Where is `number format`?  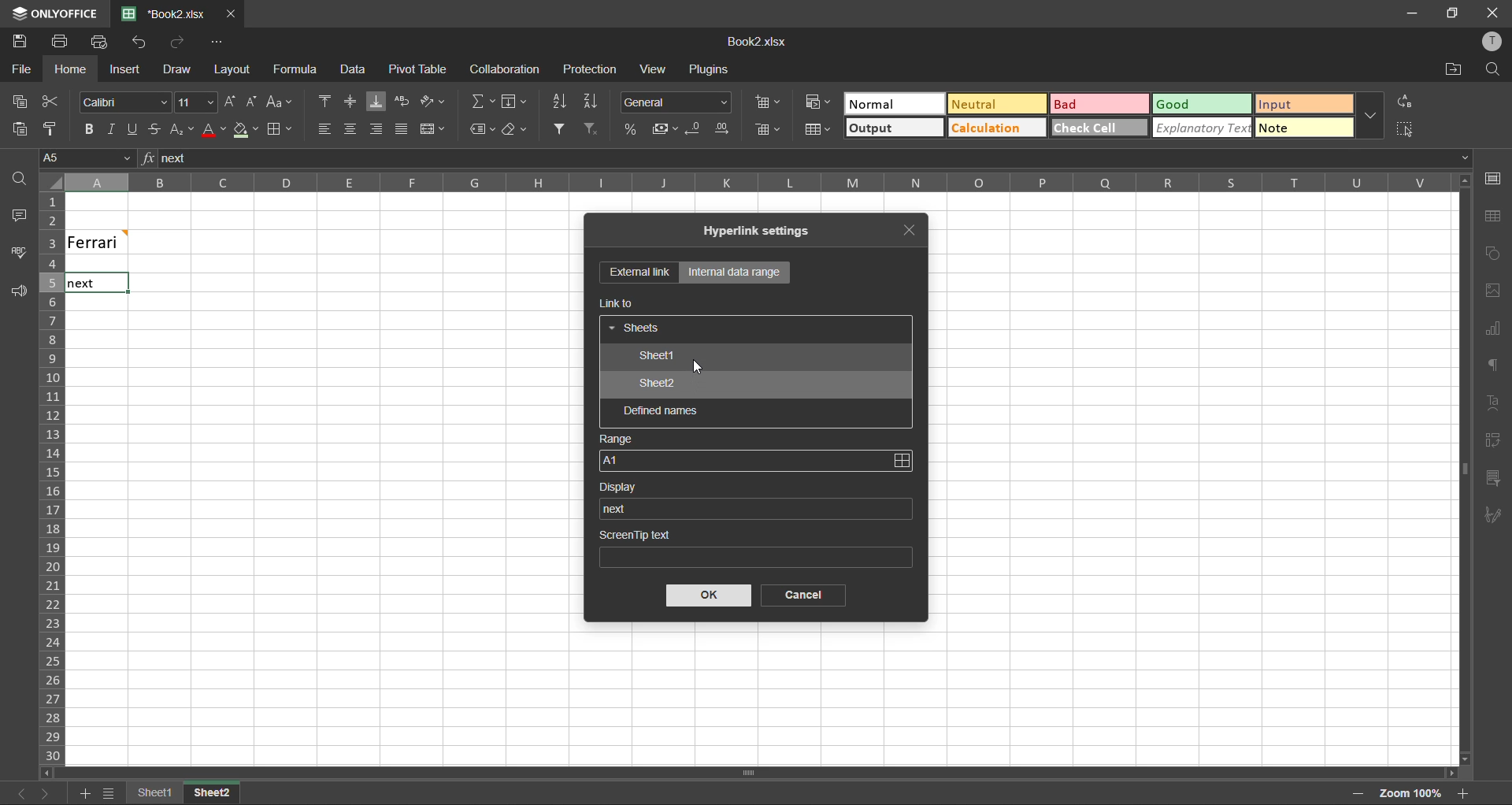
number format is located at coordinates (677, 102).